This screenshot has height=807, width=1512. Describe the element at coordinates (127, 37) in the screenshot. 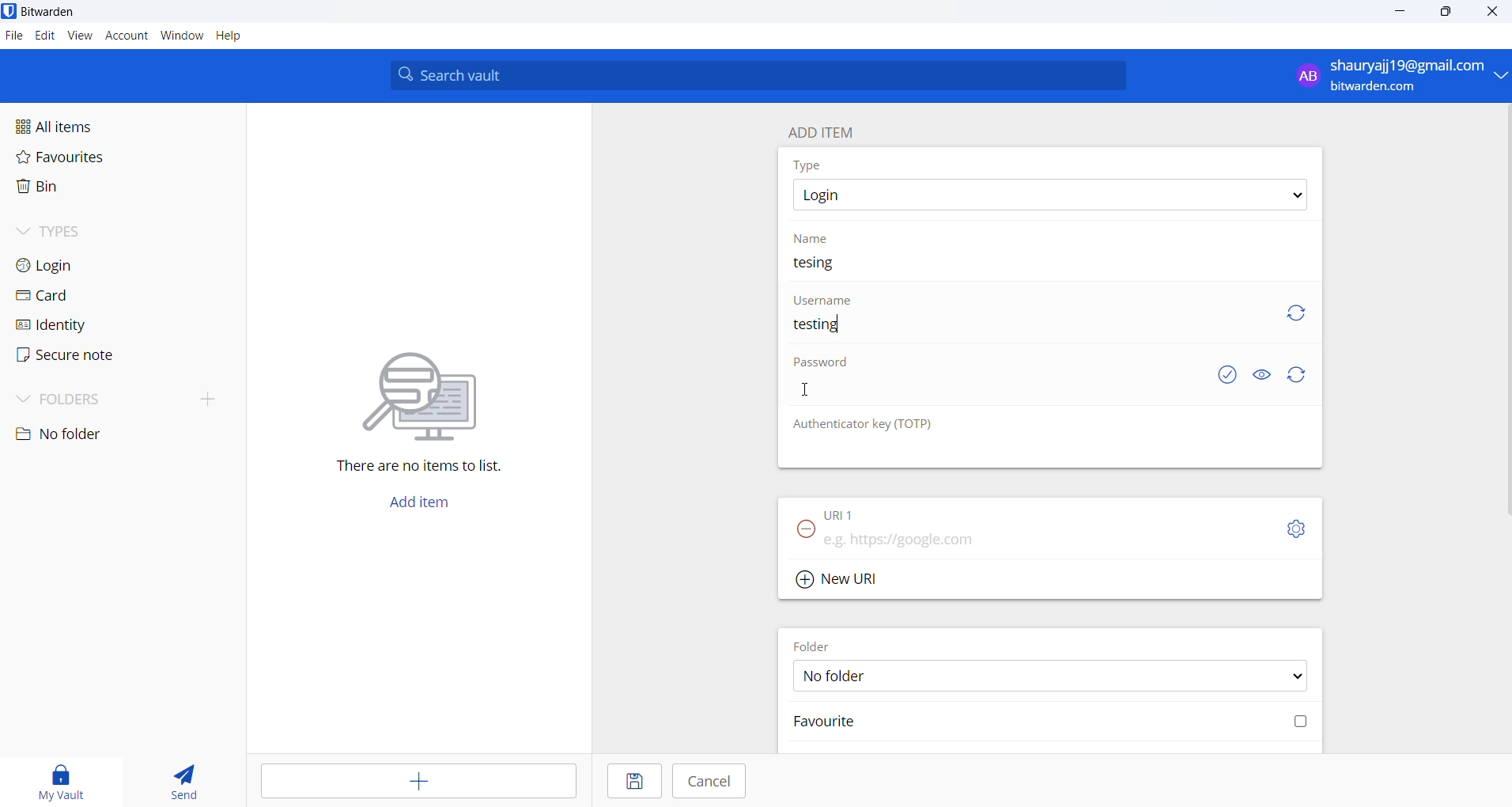

I see `account` at that location.